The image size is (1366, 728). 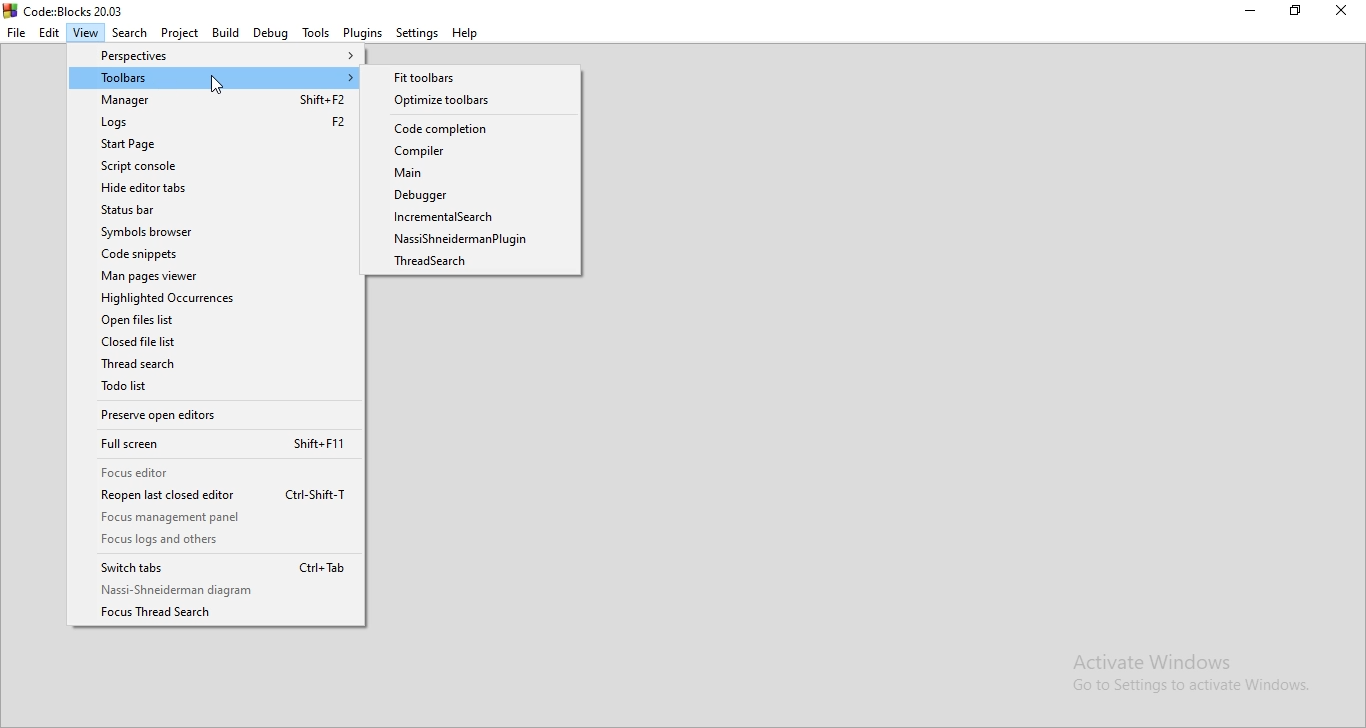 What do you see at coordinates (215, 167) in the screenshot?
I see `Script console` at bounding box center [215, 167].